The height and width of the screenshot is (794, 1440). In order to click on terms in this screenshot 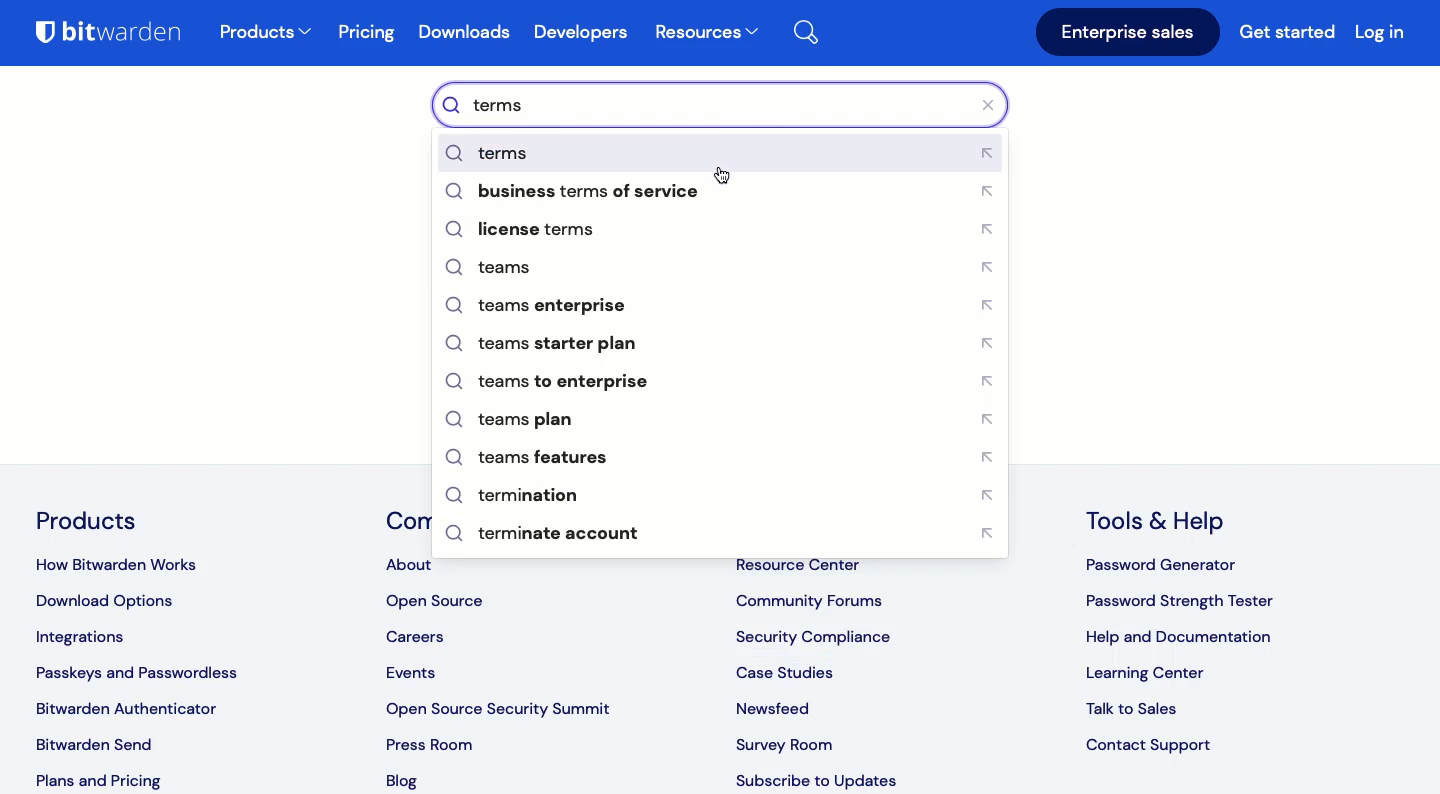, I will do `click(722, 153)`.